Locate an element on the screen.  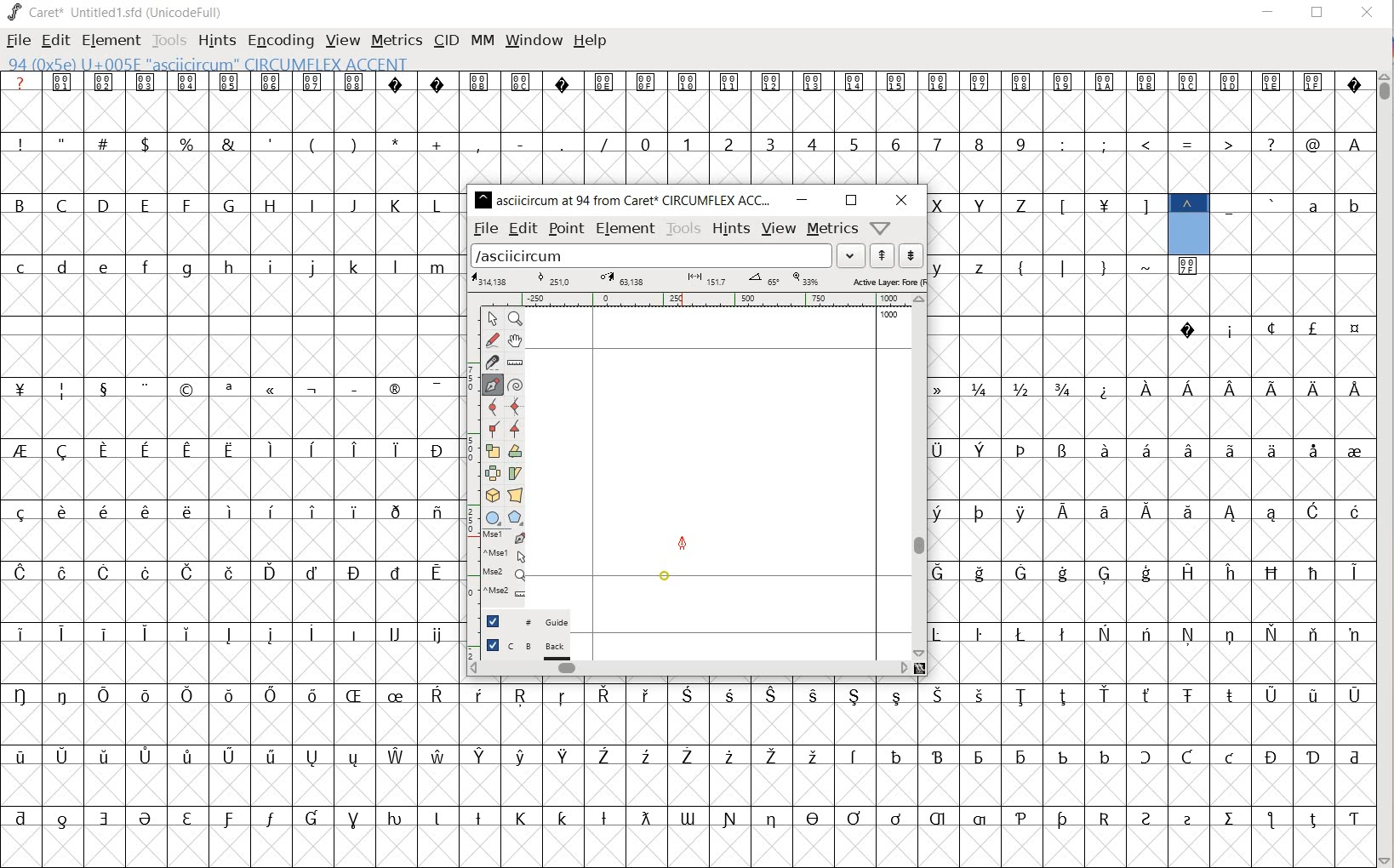
glyph characters is located at coordinates (1151, 468).